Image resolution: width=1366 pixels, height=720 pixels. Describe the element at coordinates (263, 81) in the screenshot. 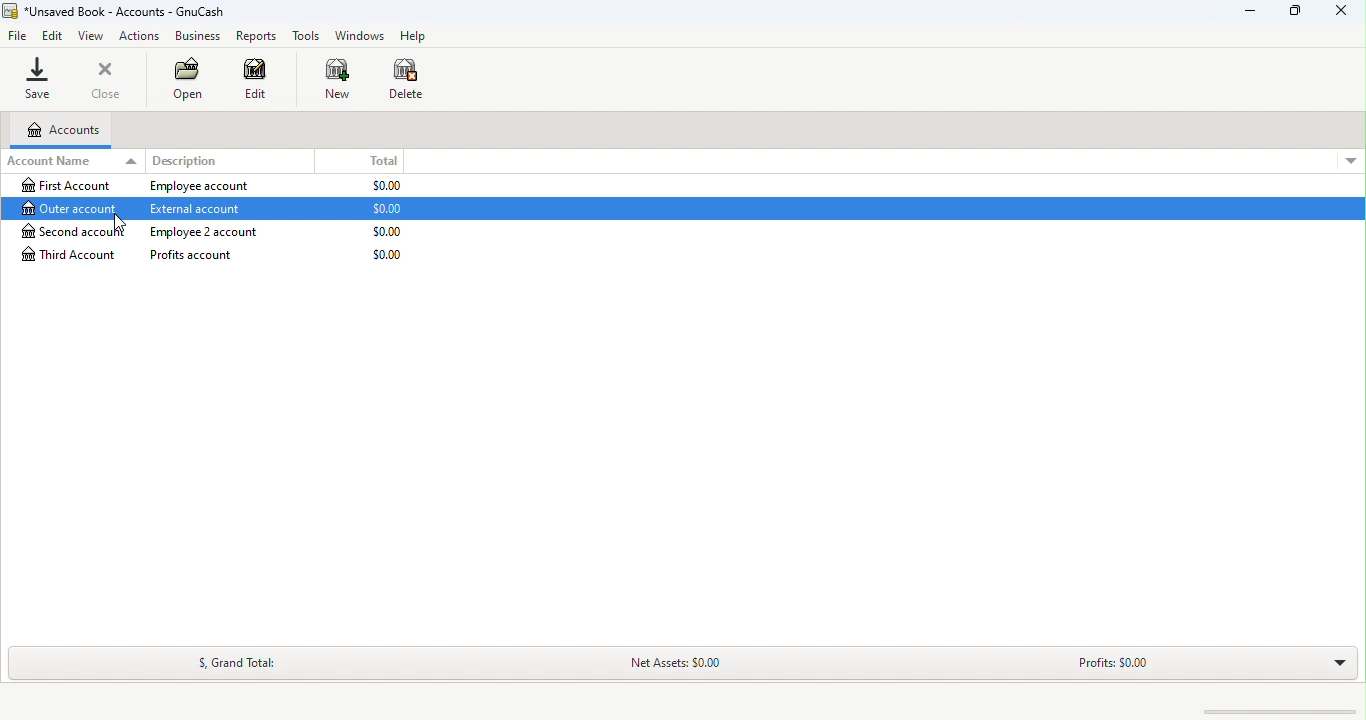

I see `Edit` at that location.